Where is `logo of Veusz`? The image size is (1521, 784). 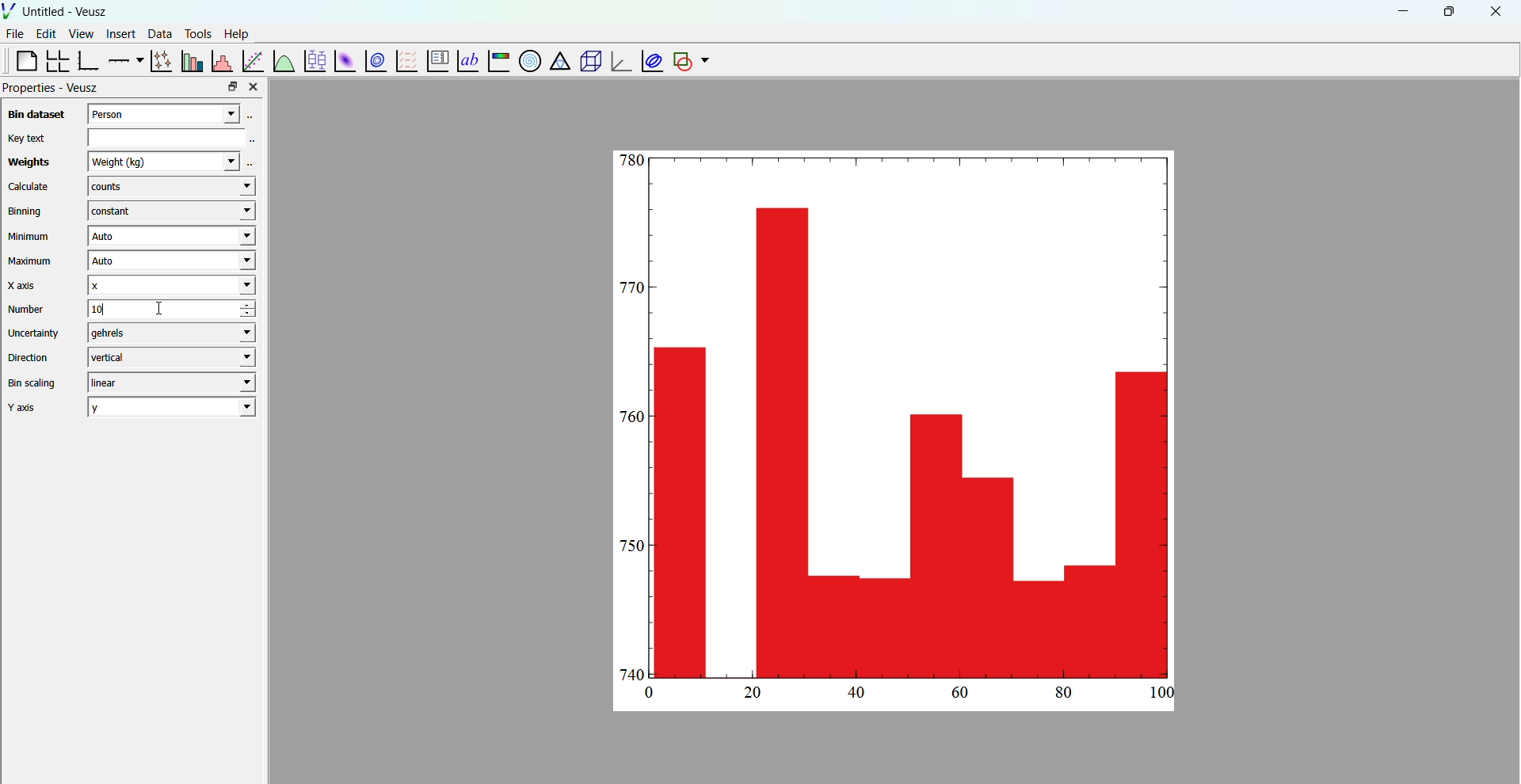 logo of Veusz is located at coordinates (10, 10).